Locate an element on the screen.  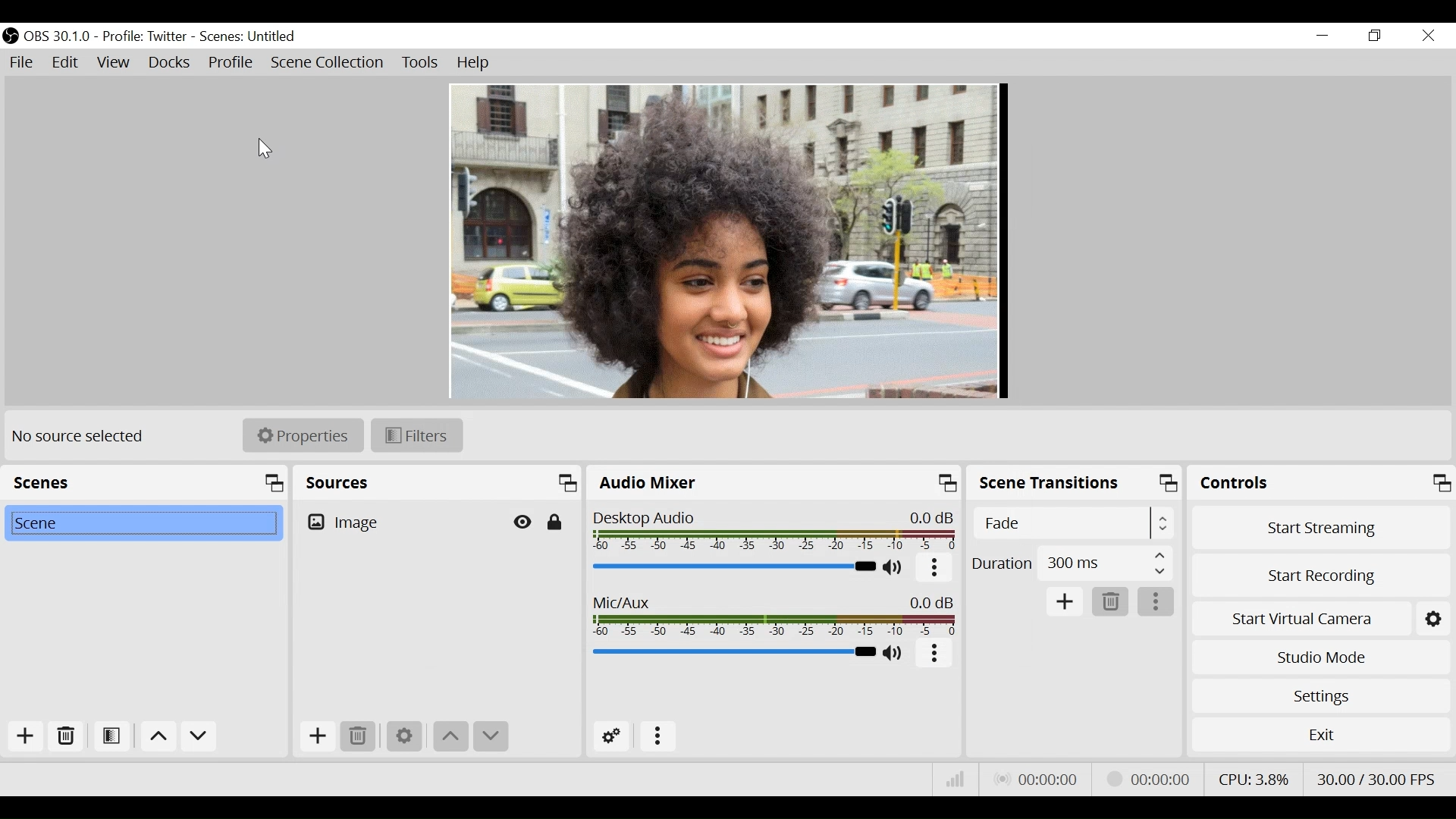
move up is located at coordinates (158, 737).